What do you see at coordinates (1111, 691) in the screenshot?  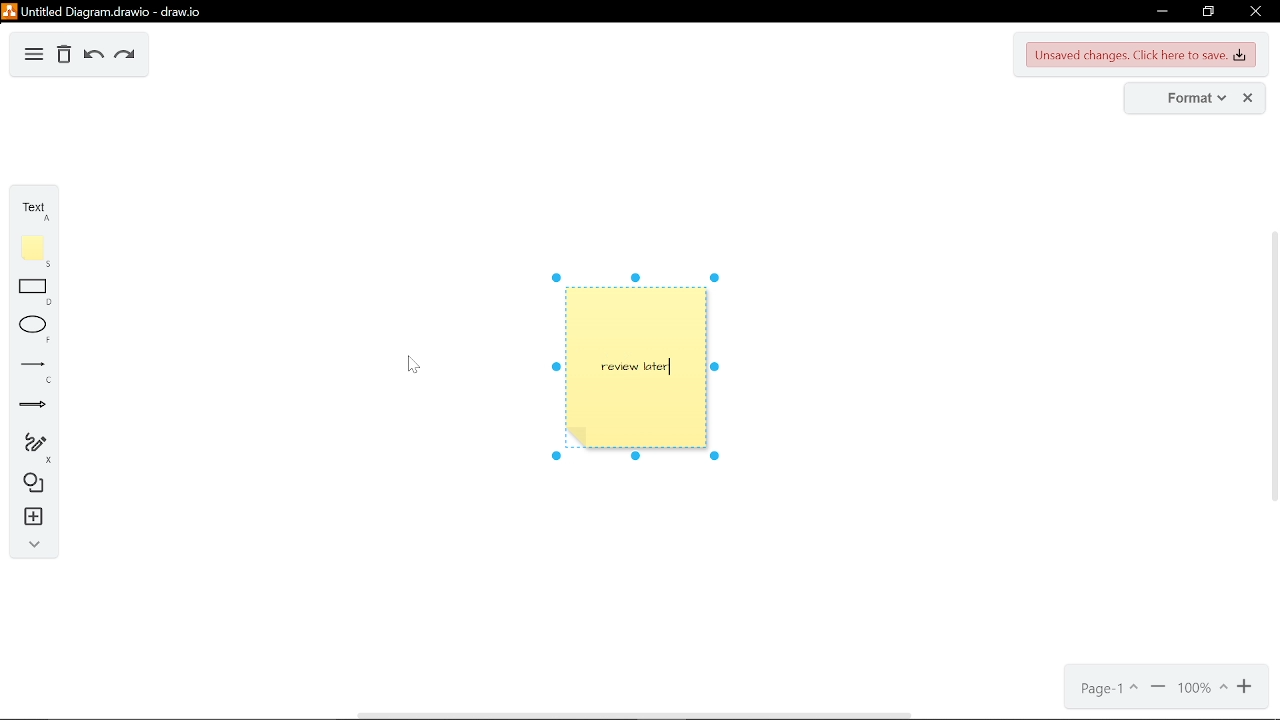 I see `page` at bounding box center [1111, 691].